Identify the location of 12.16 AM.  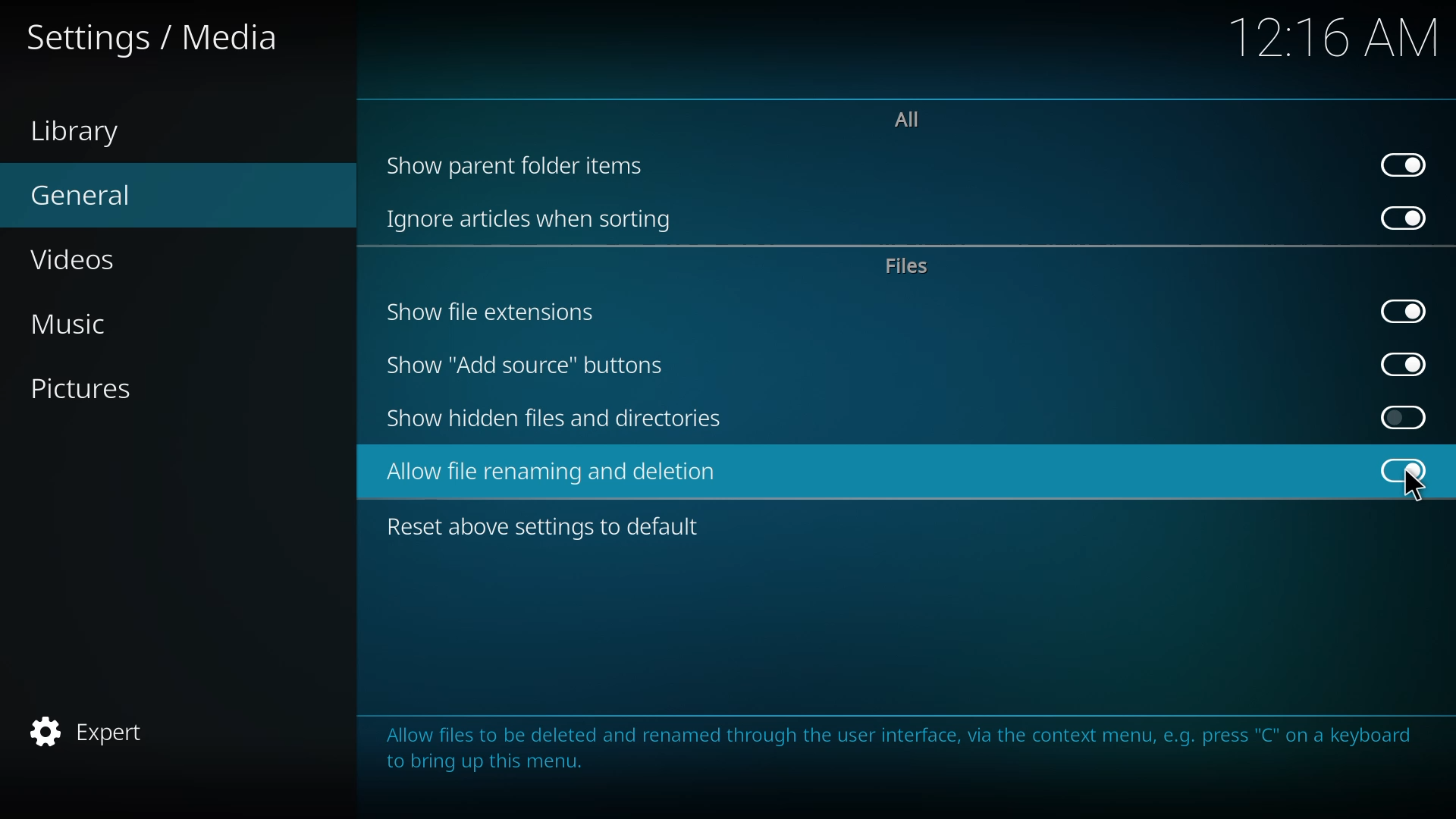
(1328, 45).